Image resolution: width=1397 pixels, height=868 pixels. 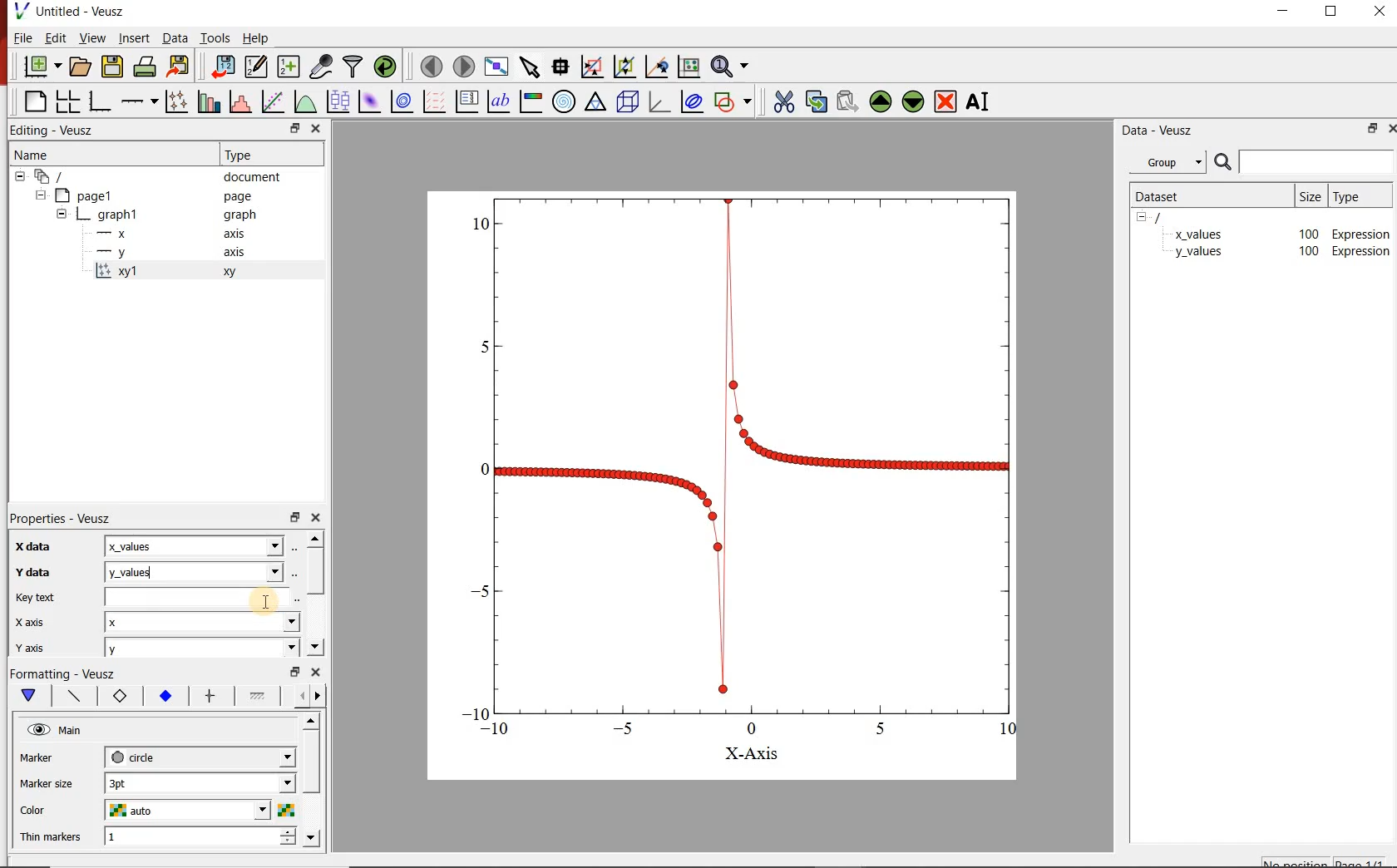 What do you see at coordinates (913, 104) in the screenshot?
I see `move down the selected widget` at bounding box center [913, 104].